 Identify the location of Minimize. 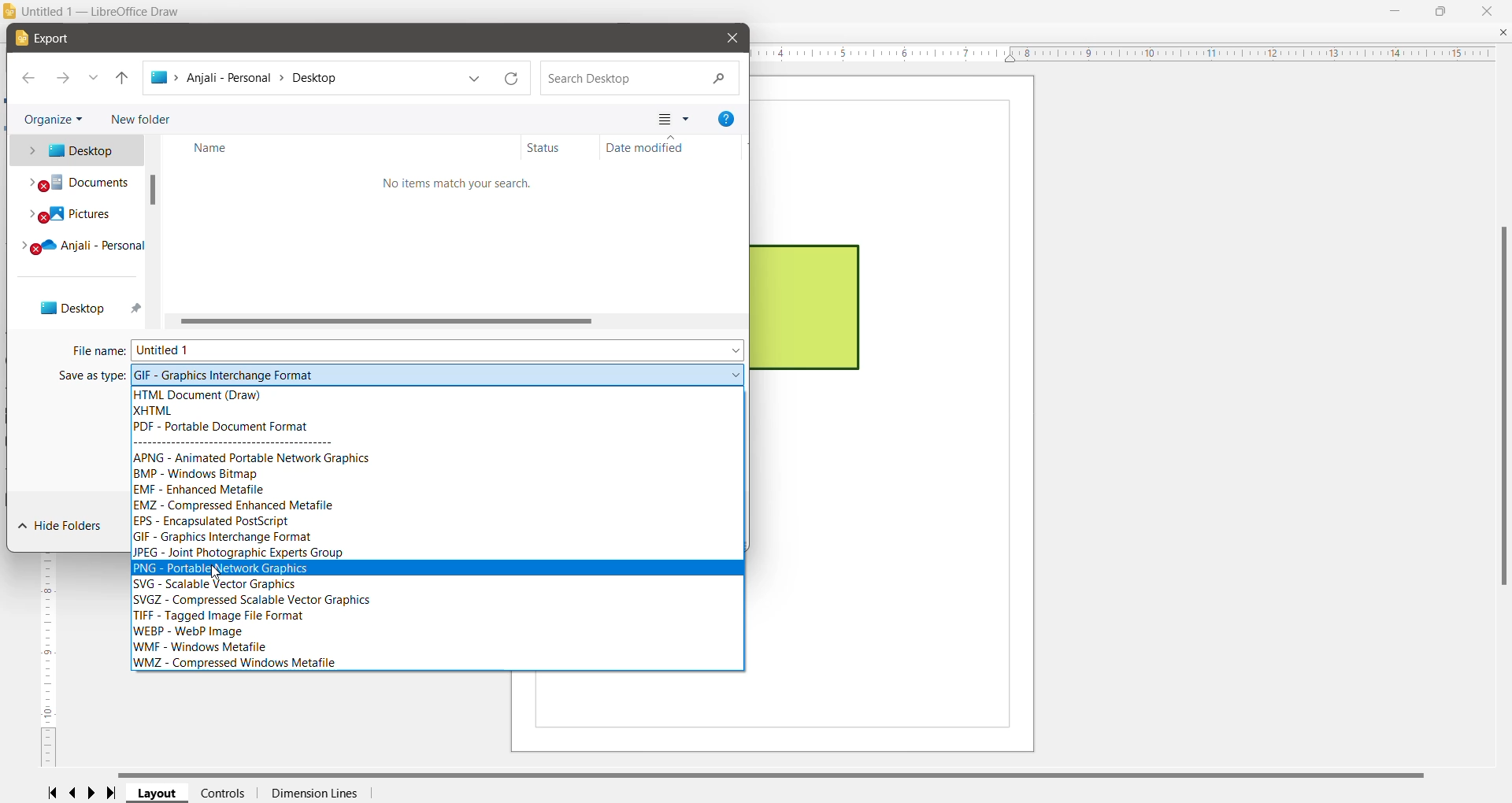
(1395, 9).